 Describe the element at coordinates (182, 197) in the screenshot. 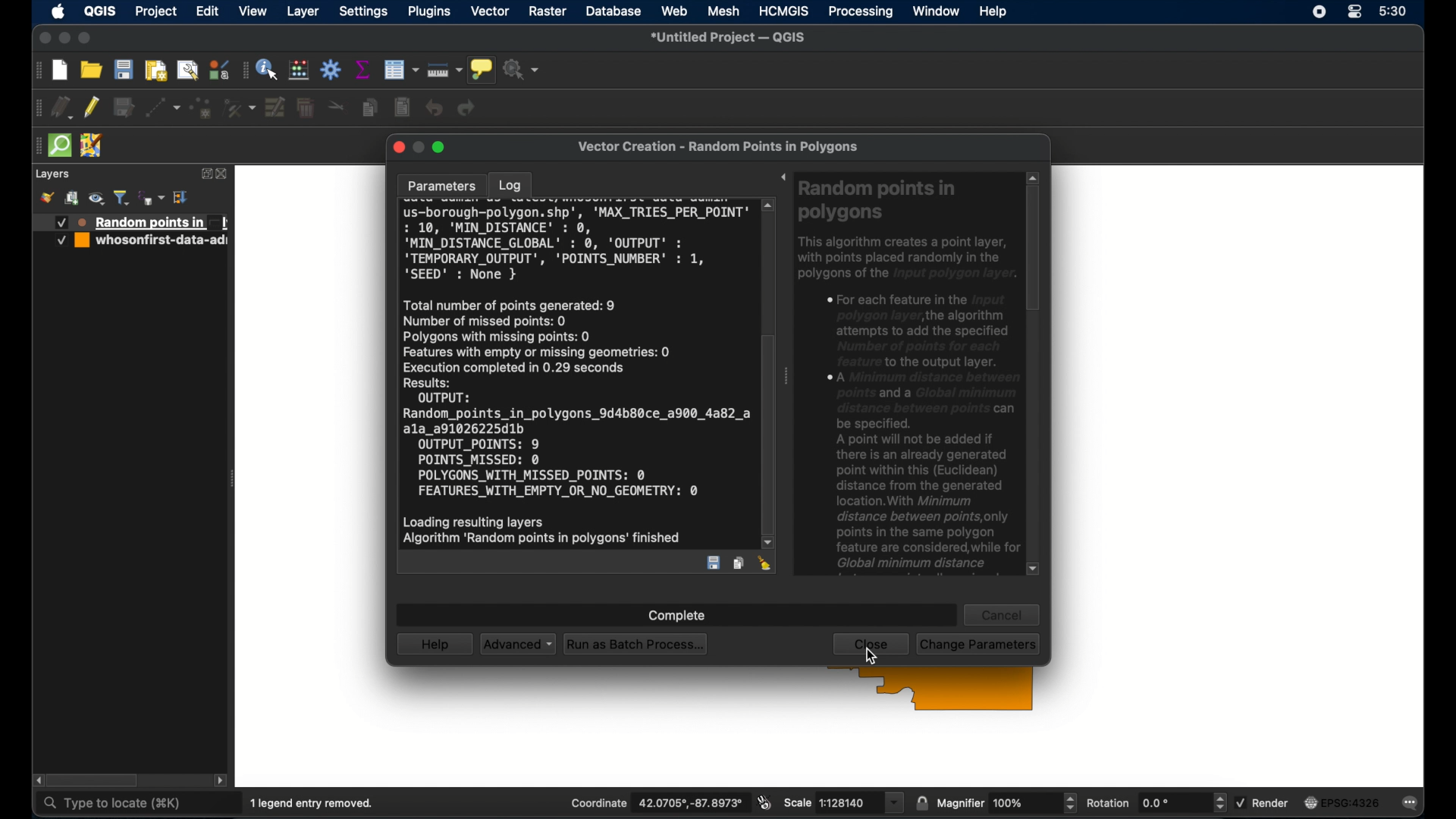

I see `expand all` at that location.